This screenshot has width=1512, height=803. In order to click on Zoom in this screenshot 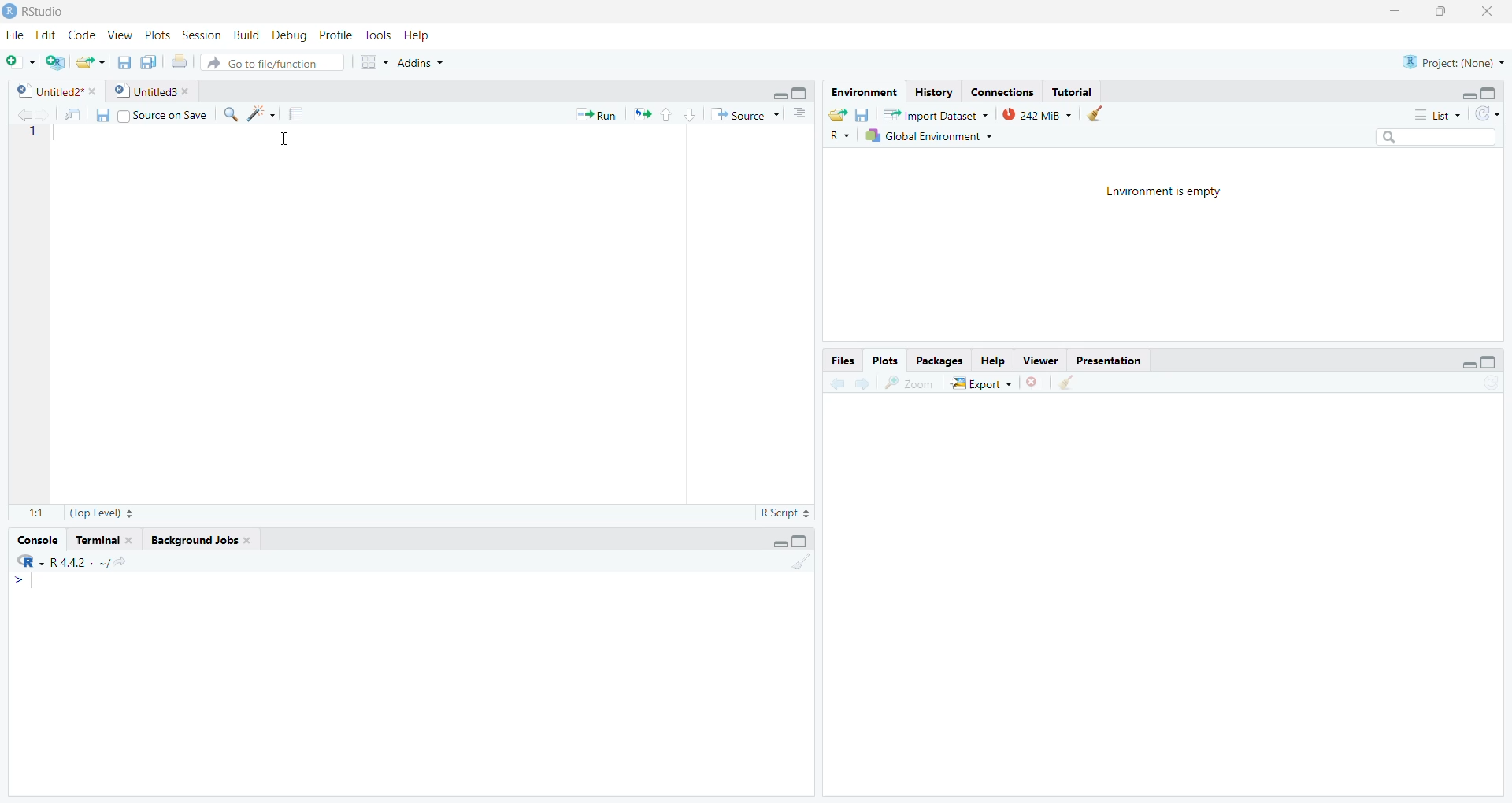, I will do `click(909, 383)`.